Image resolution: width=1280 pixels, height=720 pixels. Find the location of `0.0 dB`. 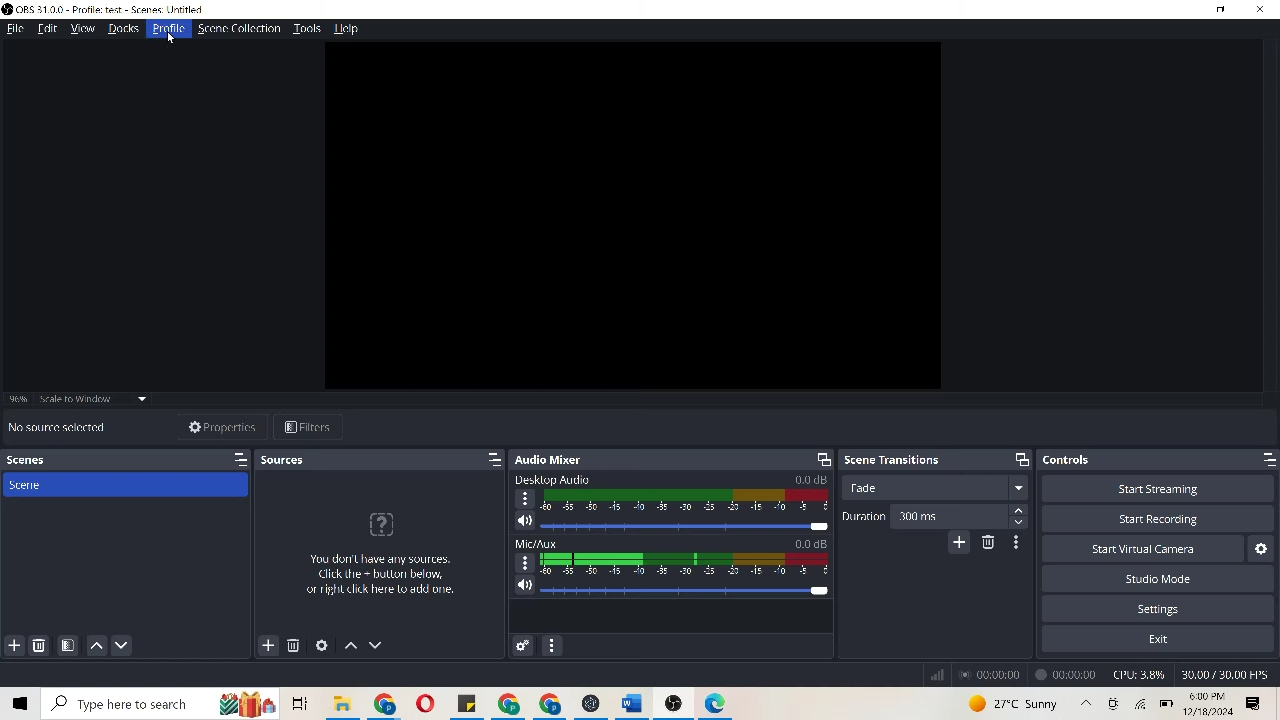

0.0 dB is located at coordinates (809, 478).